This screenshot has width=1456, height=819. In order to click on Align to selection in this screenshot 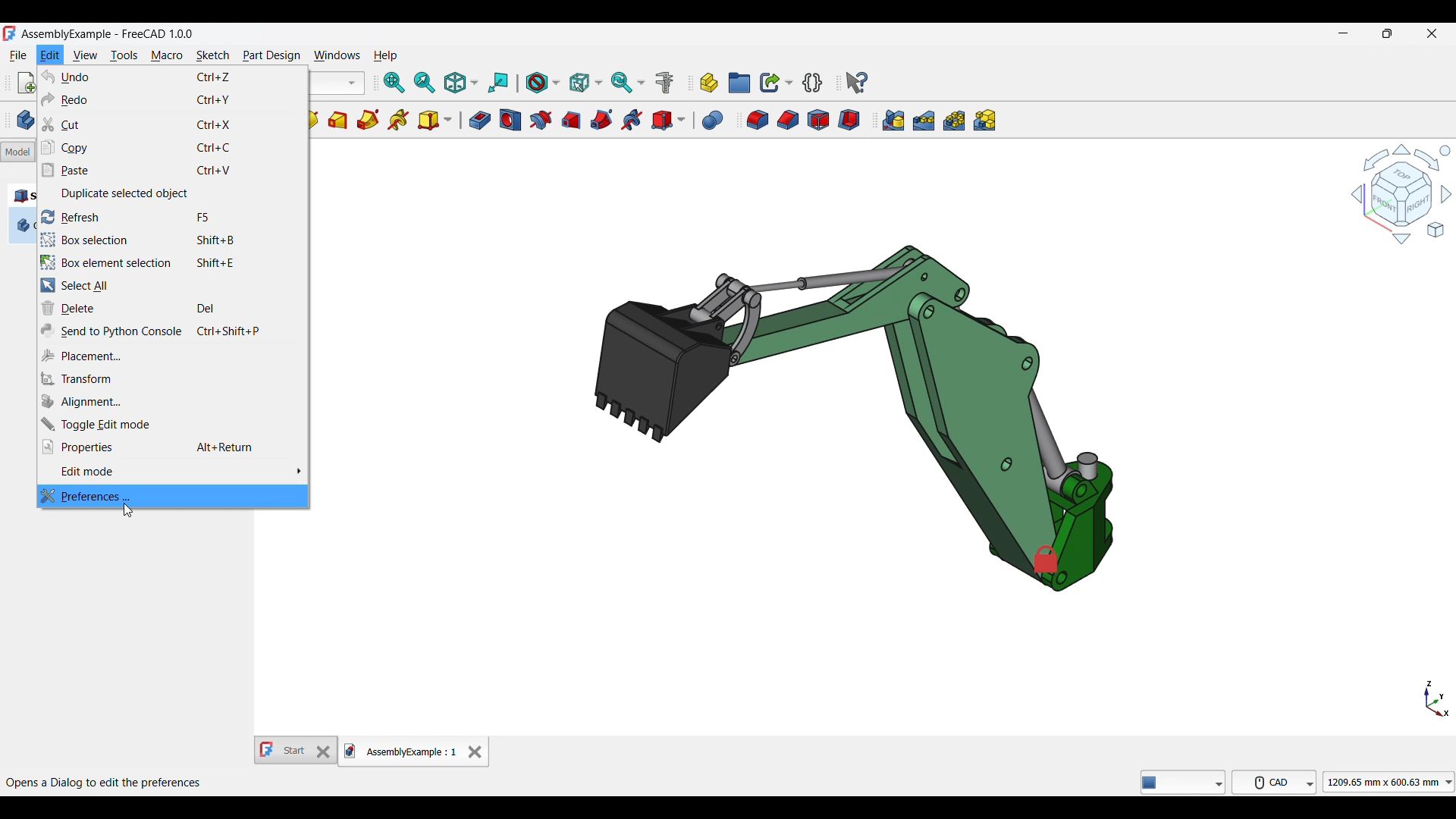, I will do `click(498, 83)`.